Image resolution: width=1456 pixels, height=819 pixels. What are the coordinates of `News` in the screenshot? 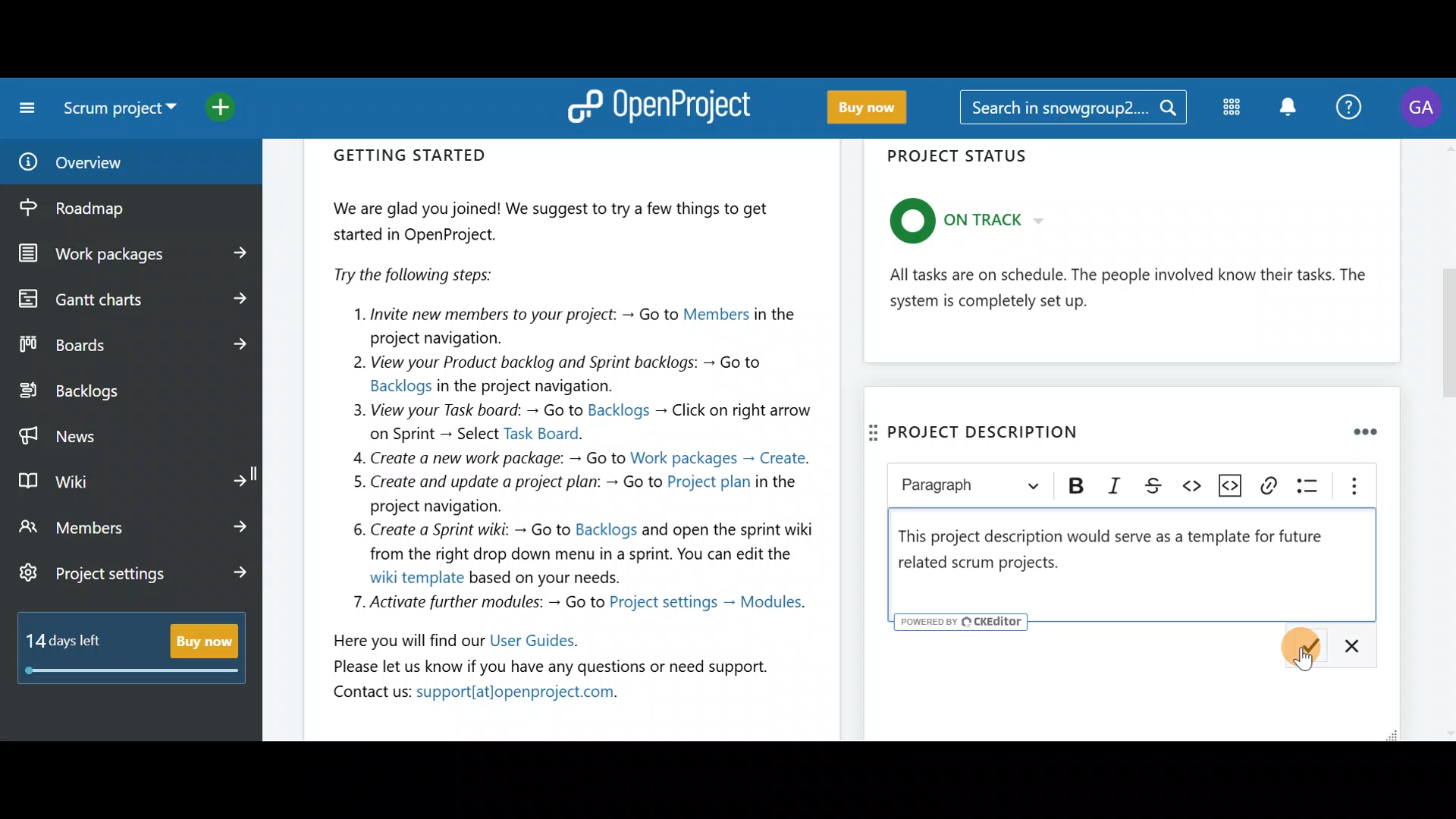 It's located at (130, 432).